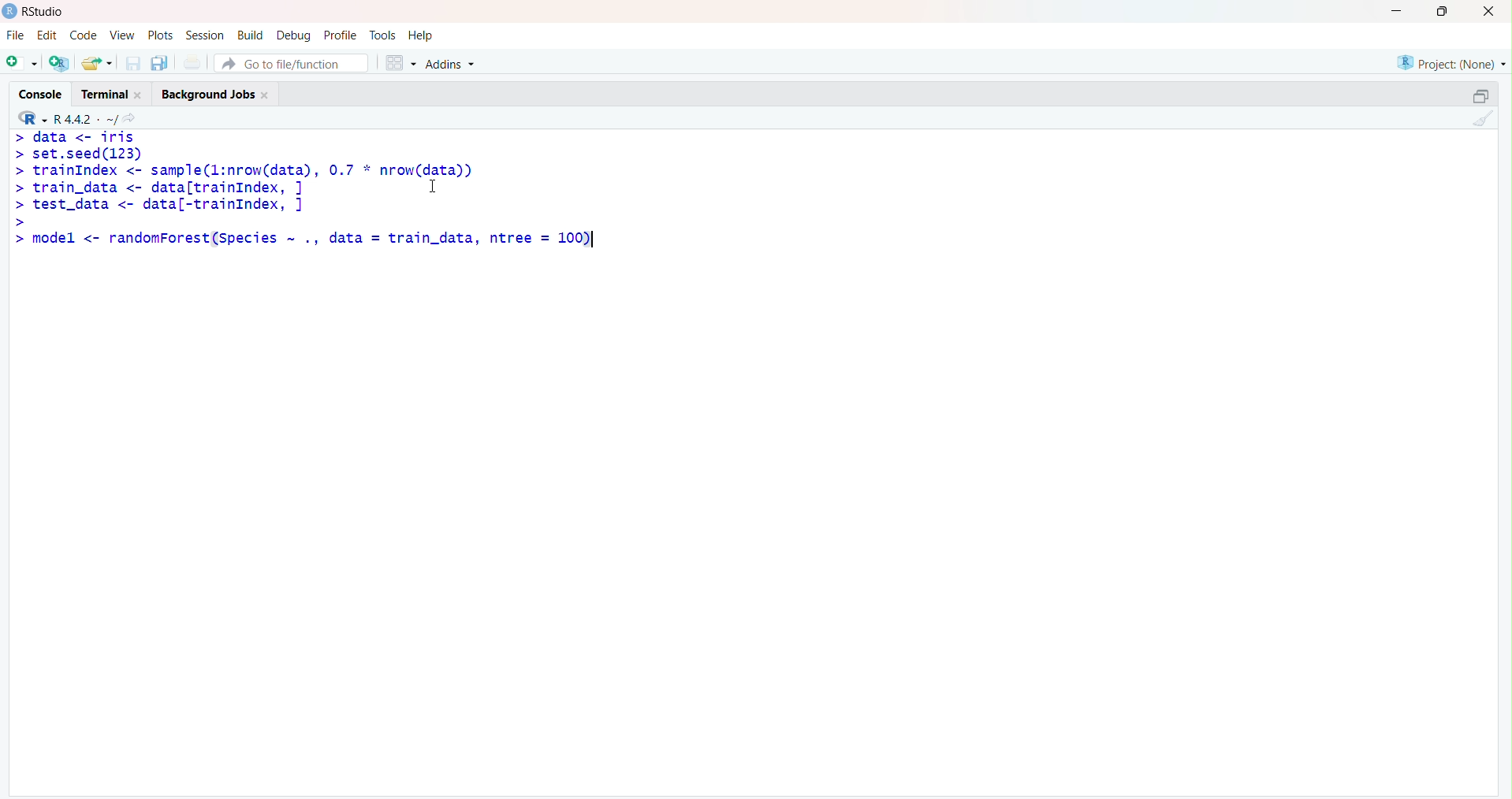  Describe the element at coordinates (290, 61) in the screenshot. I see `Go to file/function` at that location.